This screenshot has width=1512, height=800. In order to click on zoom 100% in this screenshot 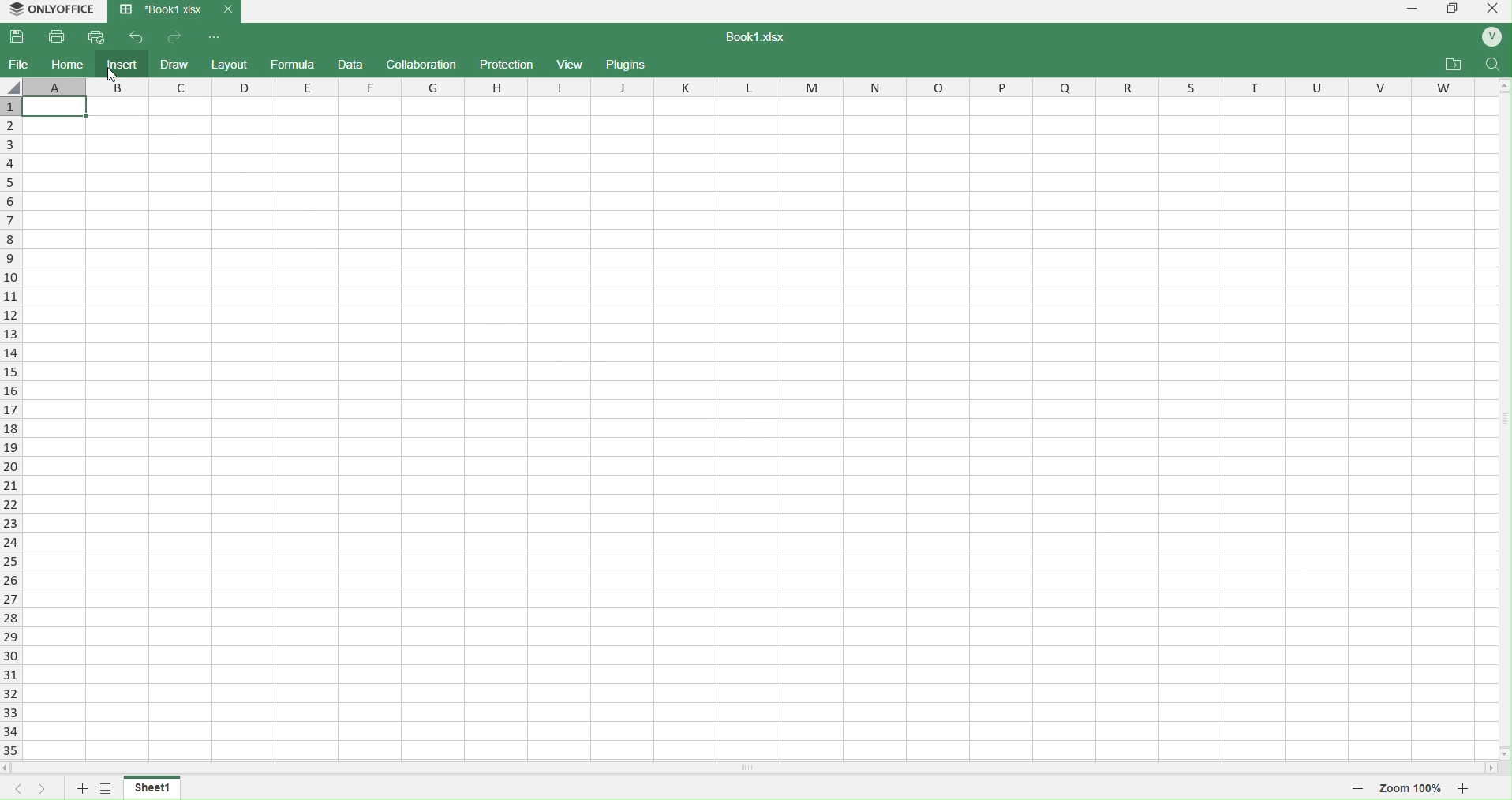, I will do `click(1412, 787)`.